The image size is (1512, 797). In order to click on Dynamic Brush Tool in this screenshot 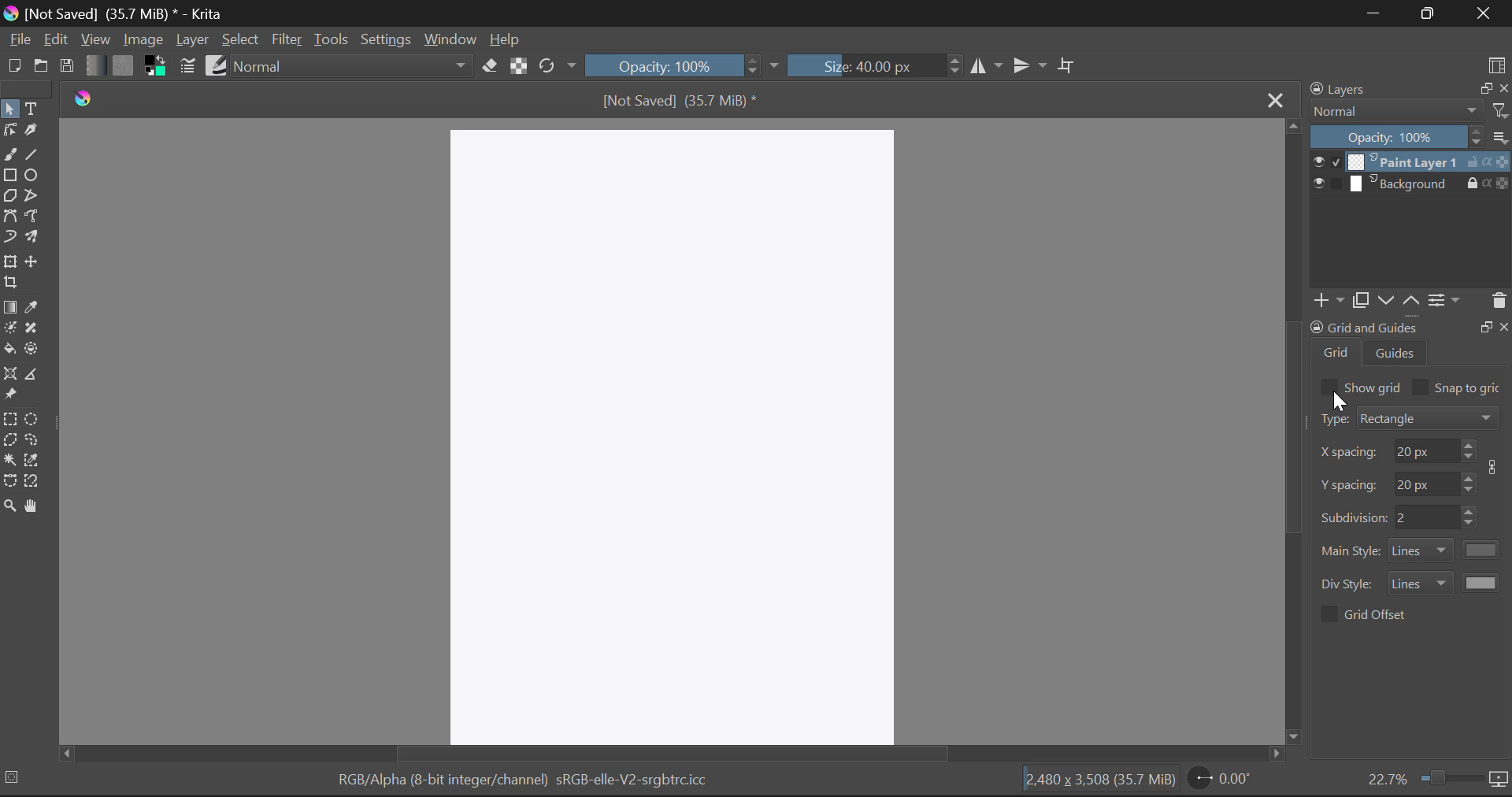, I will do `click(9, 241)`.